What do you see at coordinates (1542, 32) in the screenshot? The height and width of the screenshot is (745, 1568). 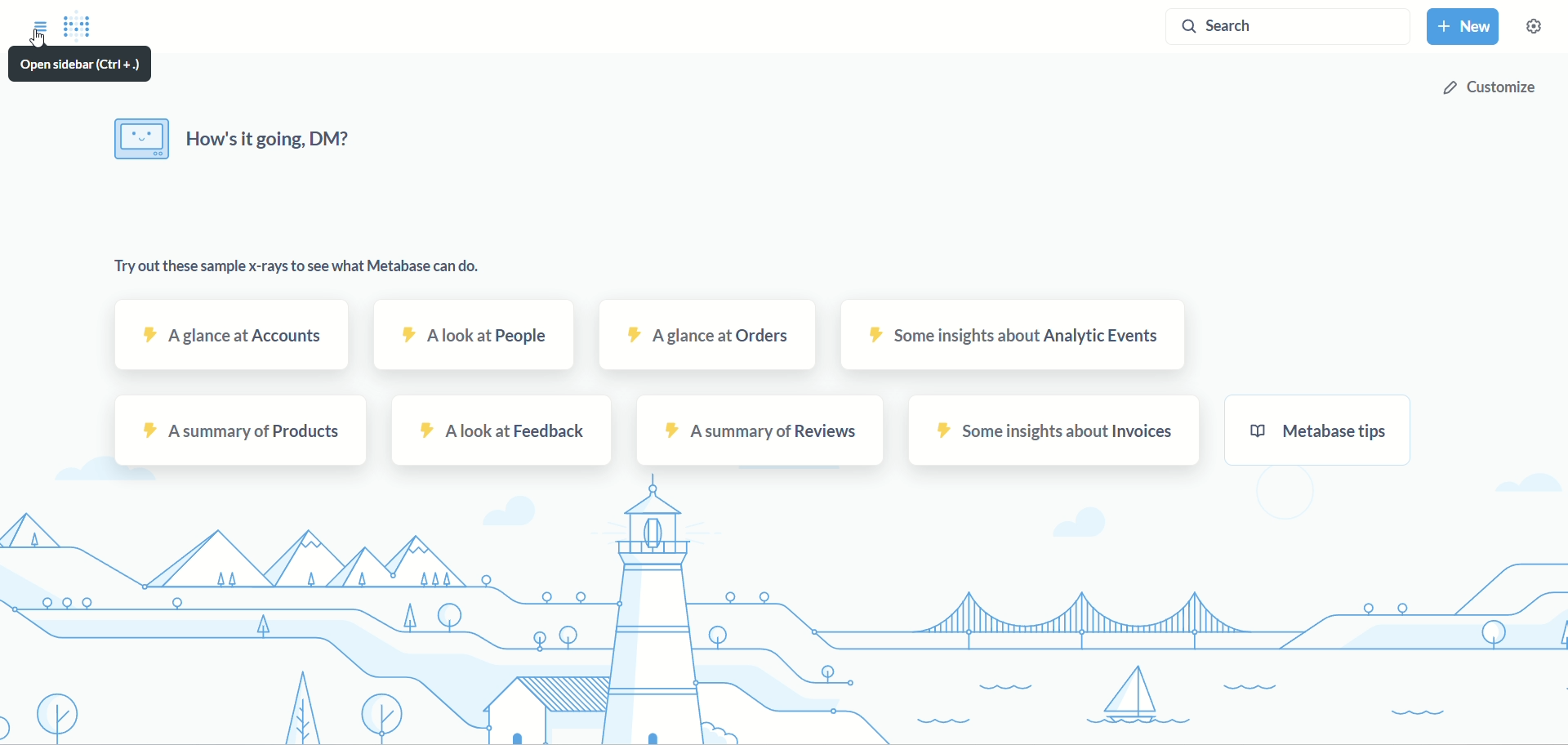 I see `settings` at bounding box center [1542, 32].